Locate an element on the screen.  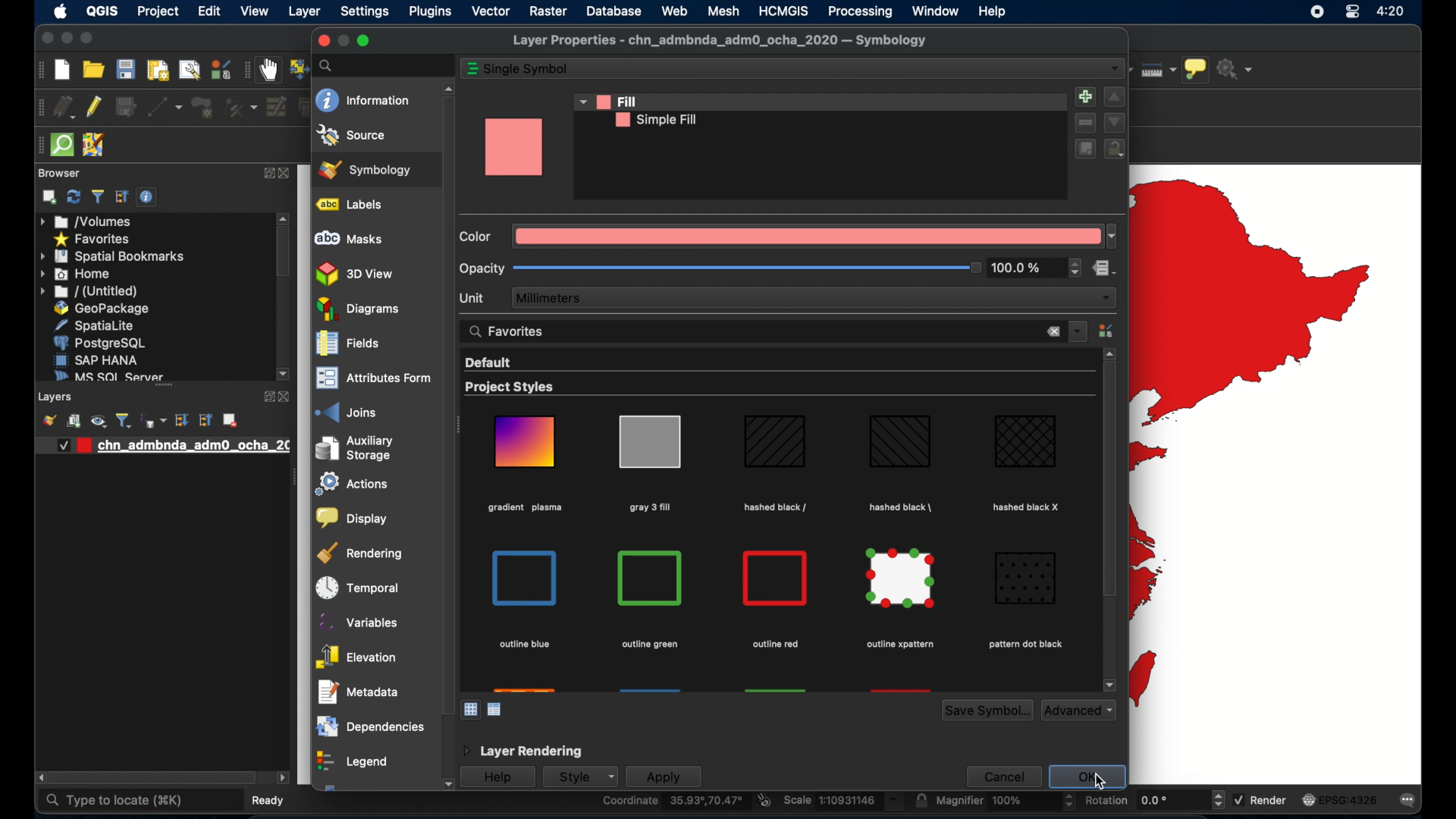
advanced is located at coordinates (1079, 710).